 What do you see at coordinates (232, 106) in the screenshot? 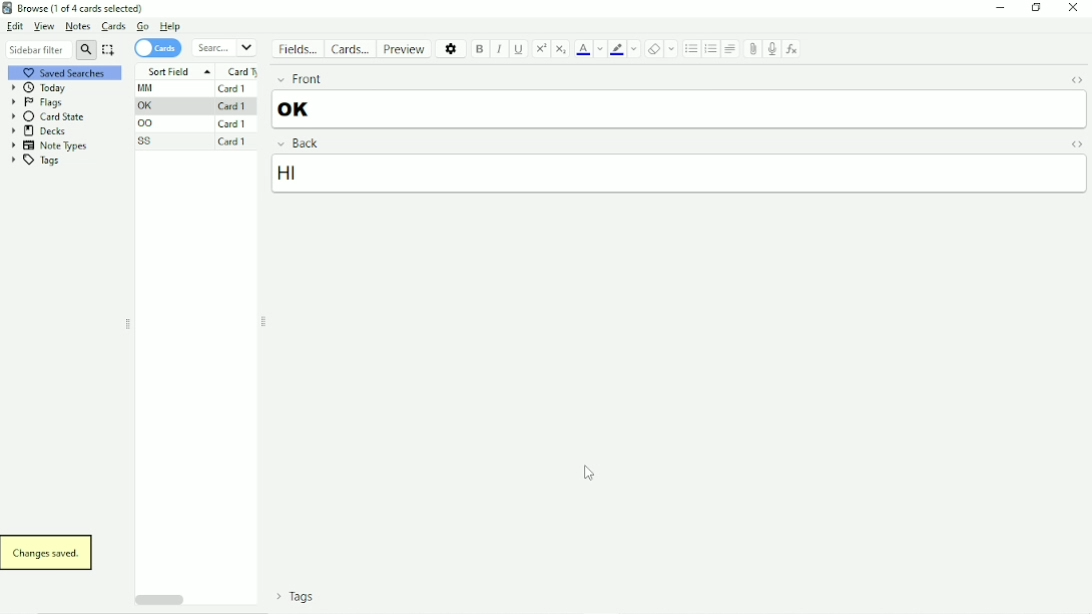
I see `Card 1` at bounding box center [232, 106].